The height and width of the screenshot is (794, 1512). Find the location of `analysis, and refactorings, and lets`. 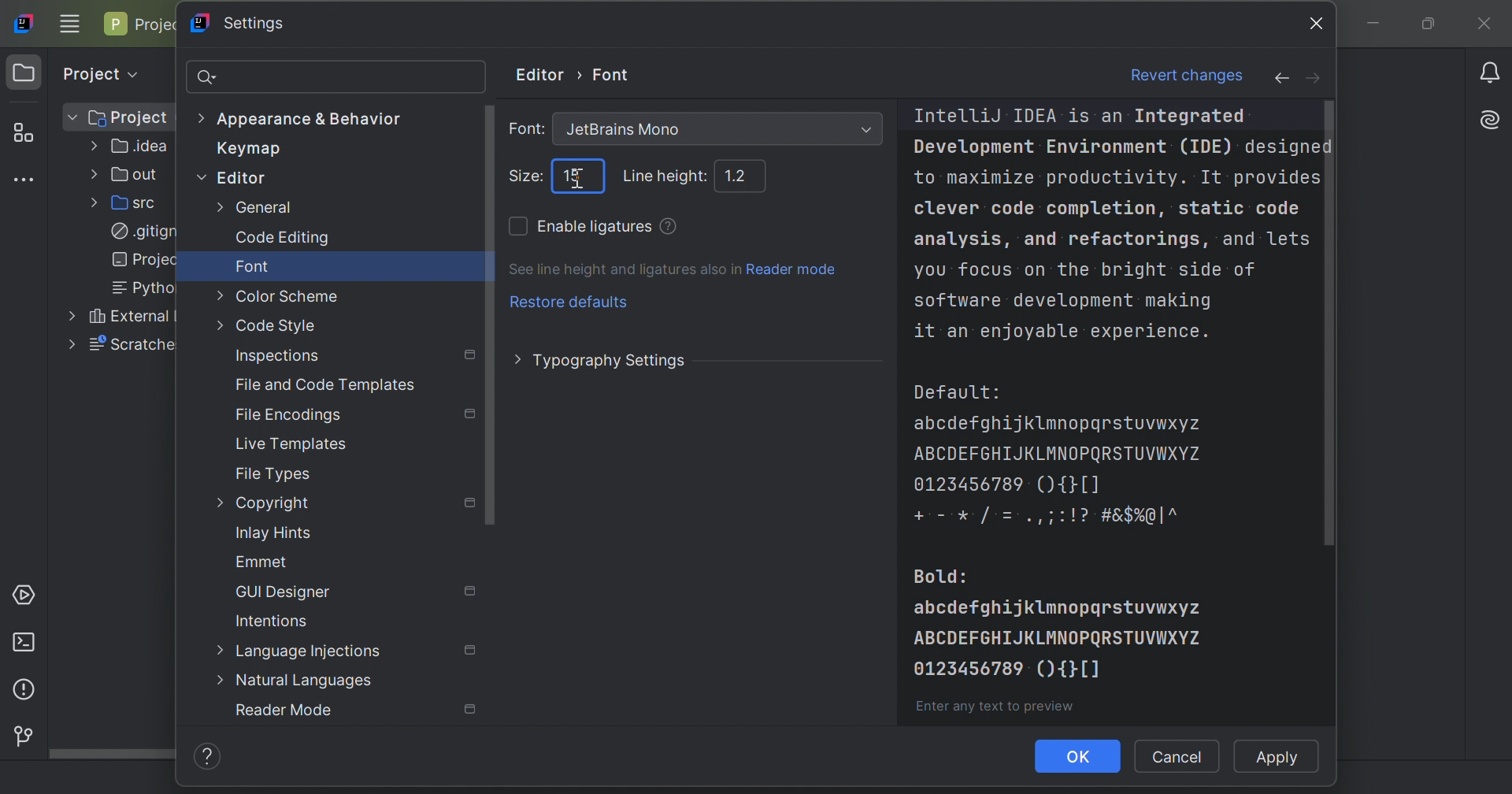

analysis, and refactorings, and lets is located at coordinates (1110, 239).